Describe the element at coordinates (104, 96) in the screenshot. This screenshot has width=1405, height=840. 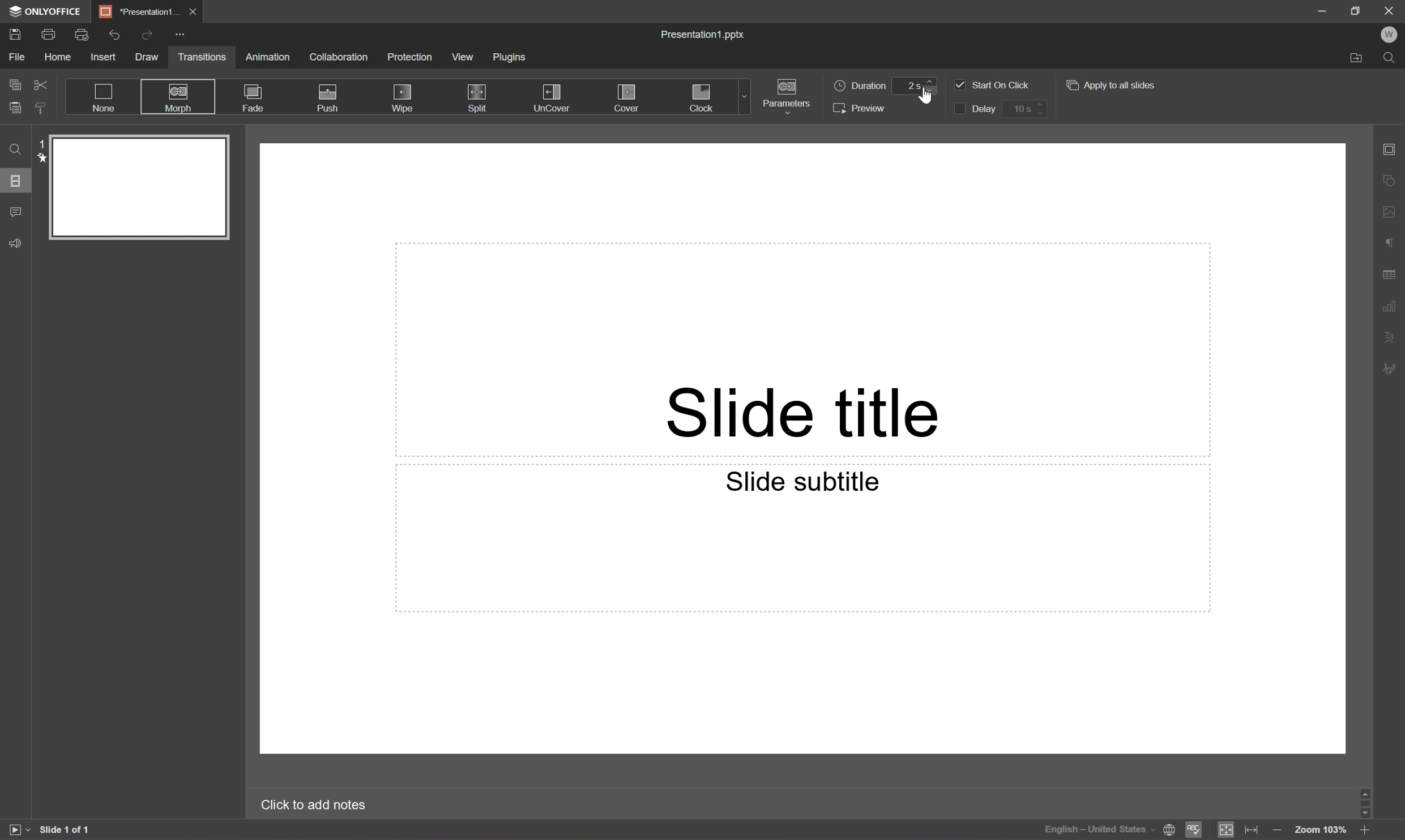
I see `None` at that location.